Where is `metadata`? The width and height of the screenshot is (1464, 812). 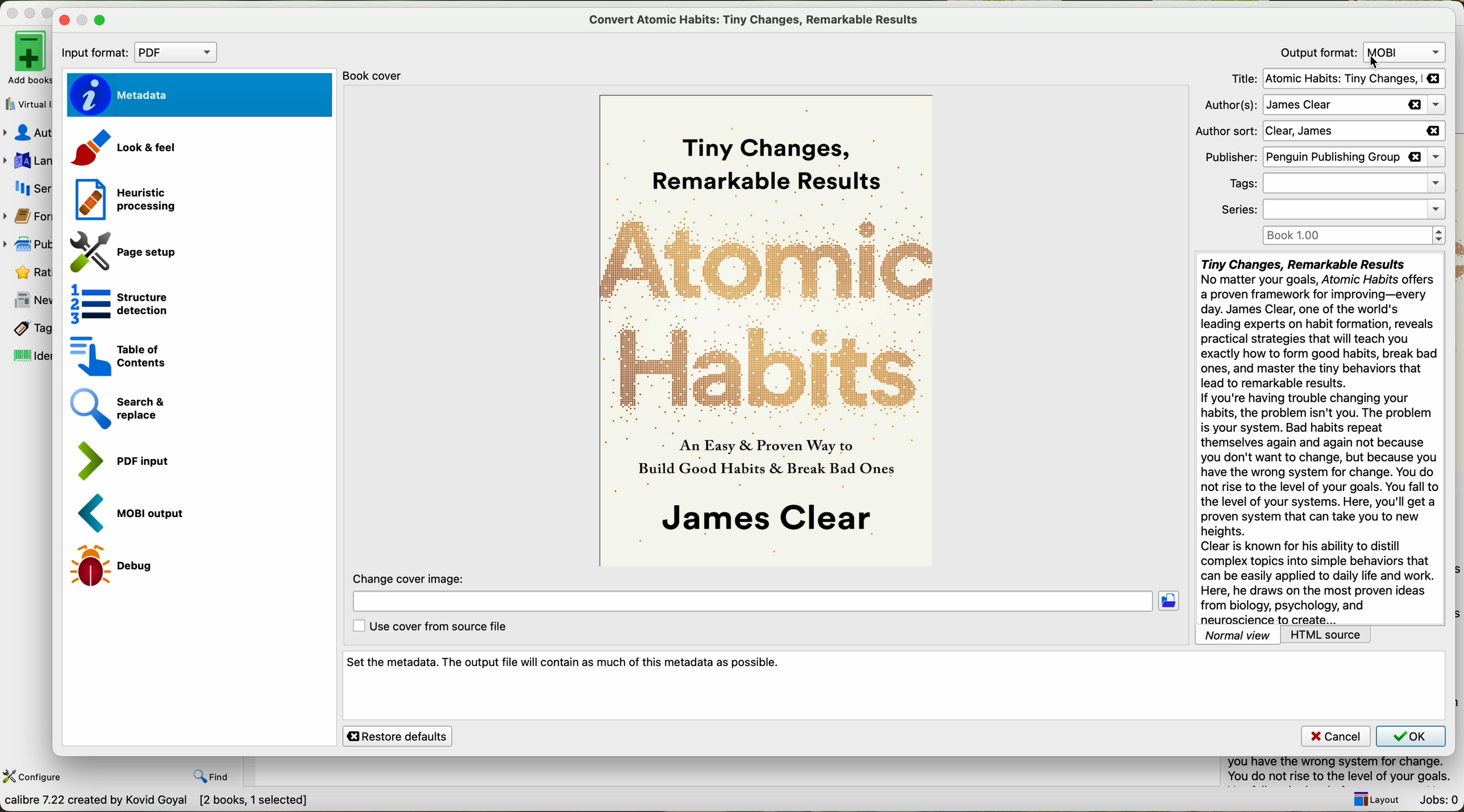 metadata is located at coordinates (198, 95).